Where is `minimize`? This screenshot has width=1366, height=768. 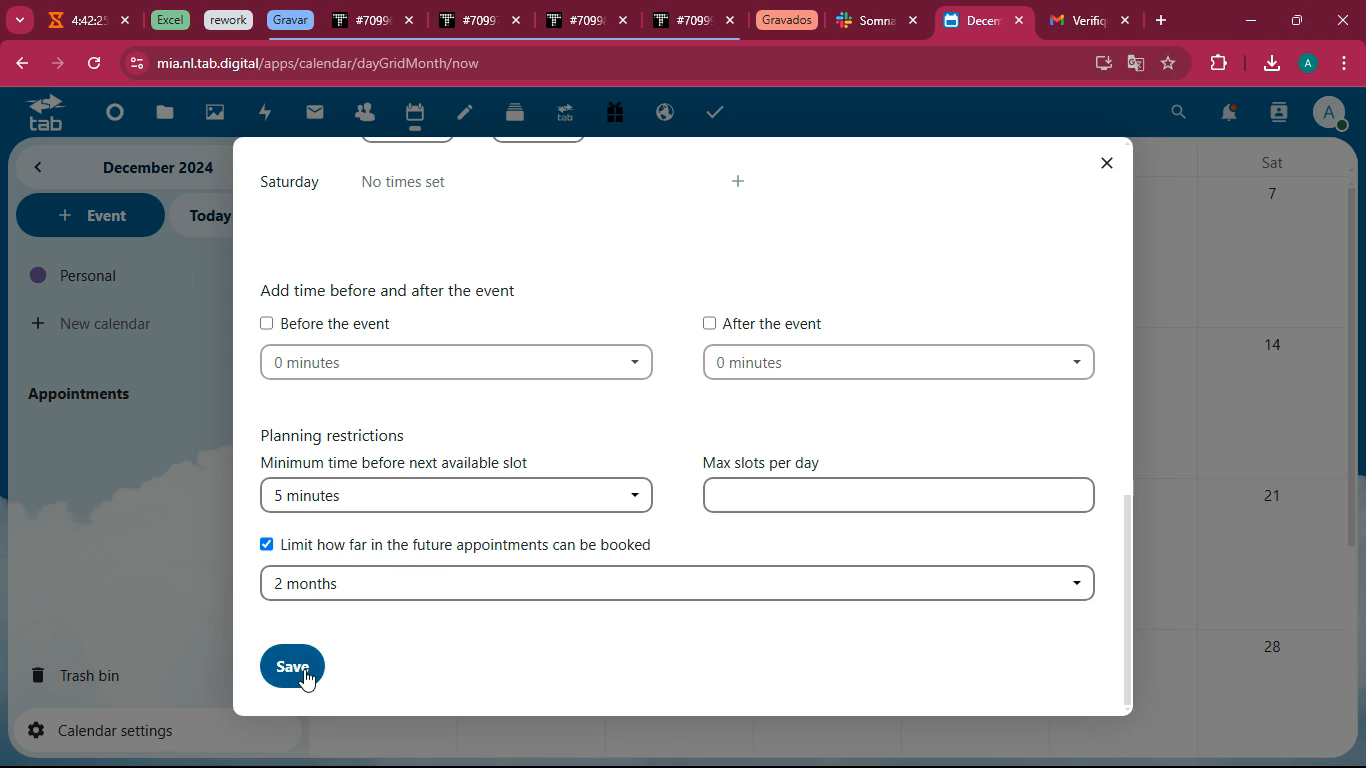
minimize is located at coordinates (1250, 22).